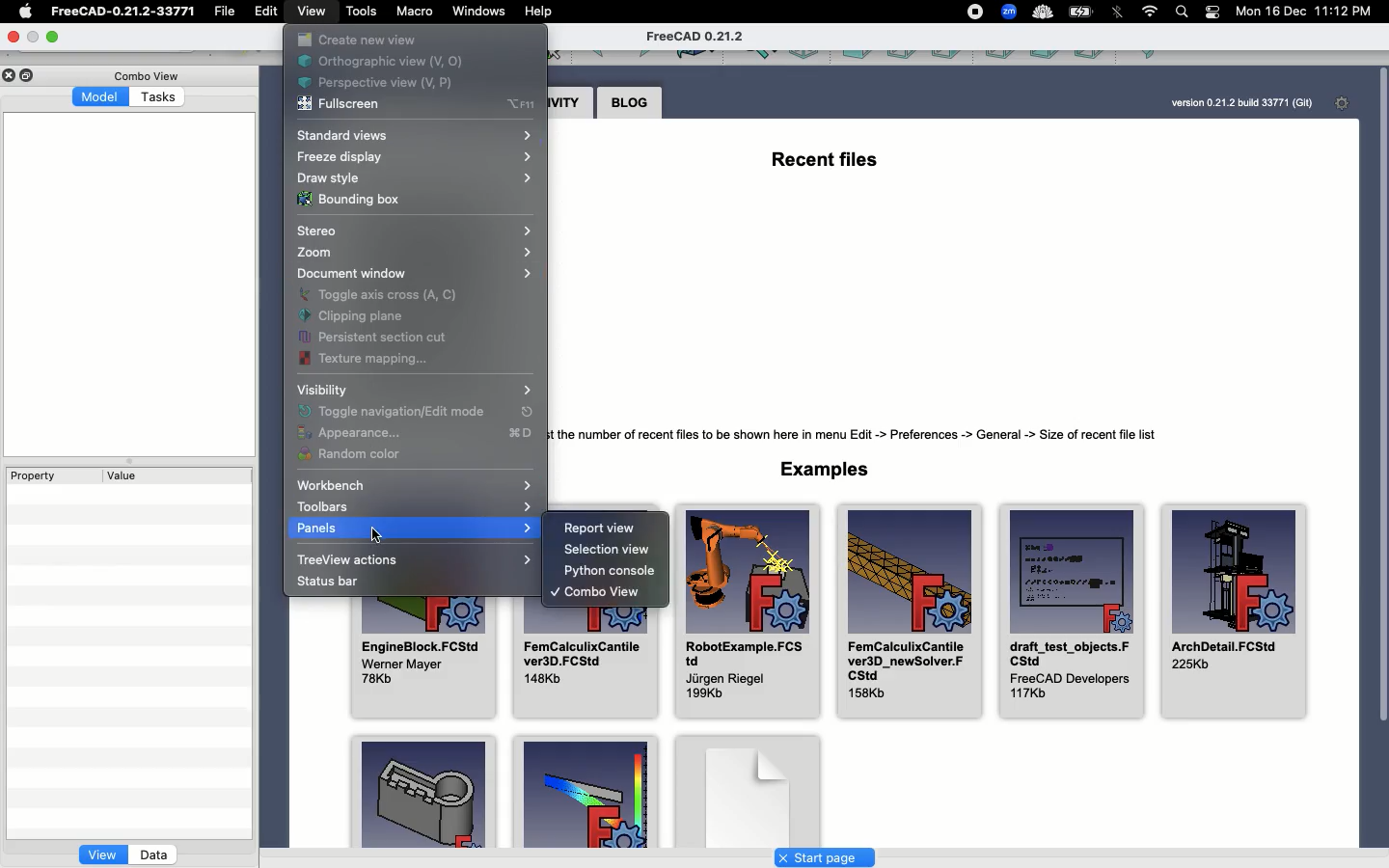 The width and height of the screenshot is (1389, 868). What do you see at coordinates (412, 434) in the screenshot?
I see `Appearance ` at bounding box center [412, 434].